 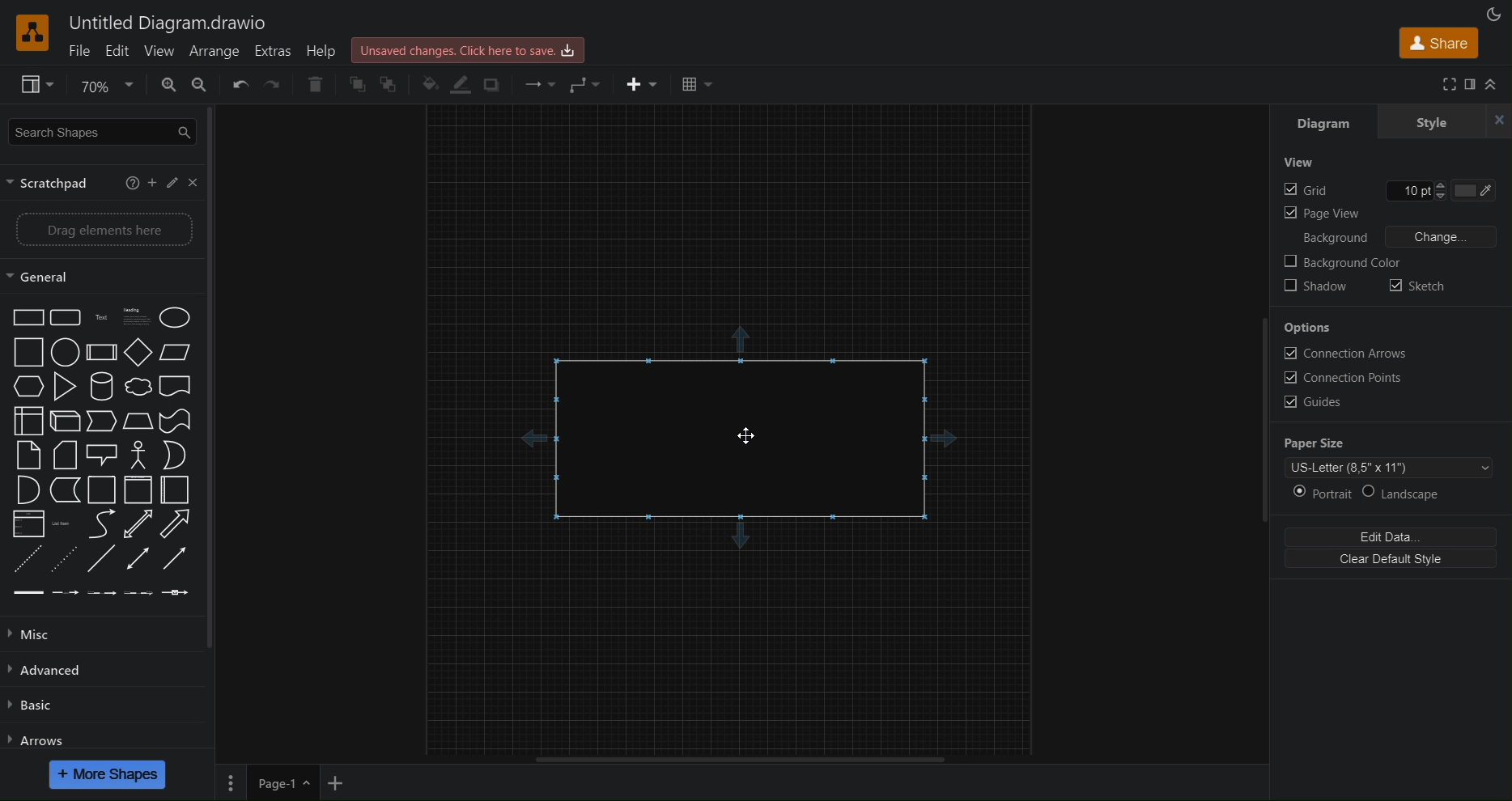 I want to click on More Shapes, so click(x=108, y=774).